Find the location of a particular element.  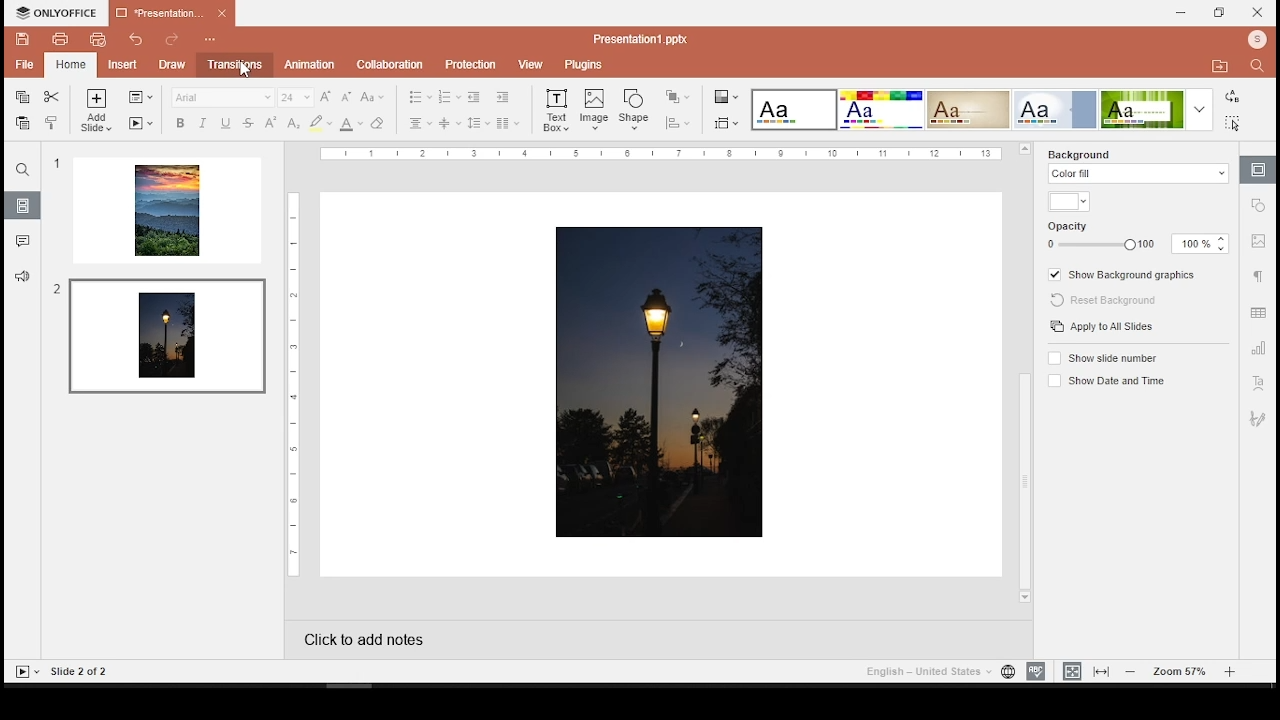

apply to slides is located at coordinates (1104, 327).